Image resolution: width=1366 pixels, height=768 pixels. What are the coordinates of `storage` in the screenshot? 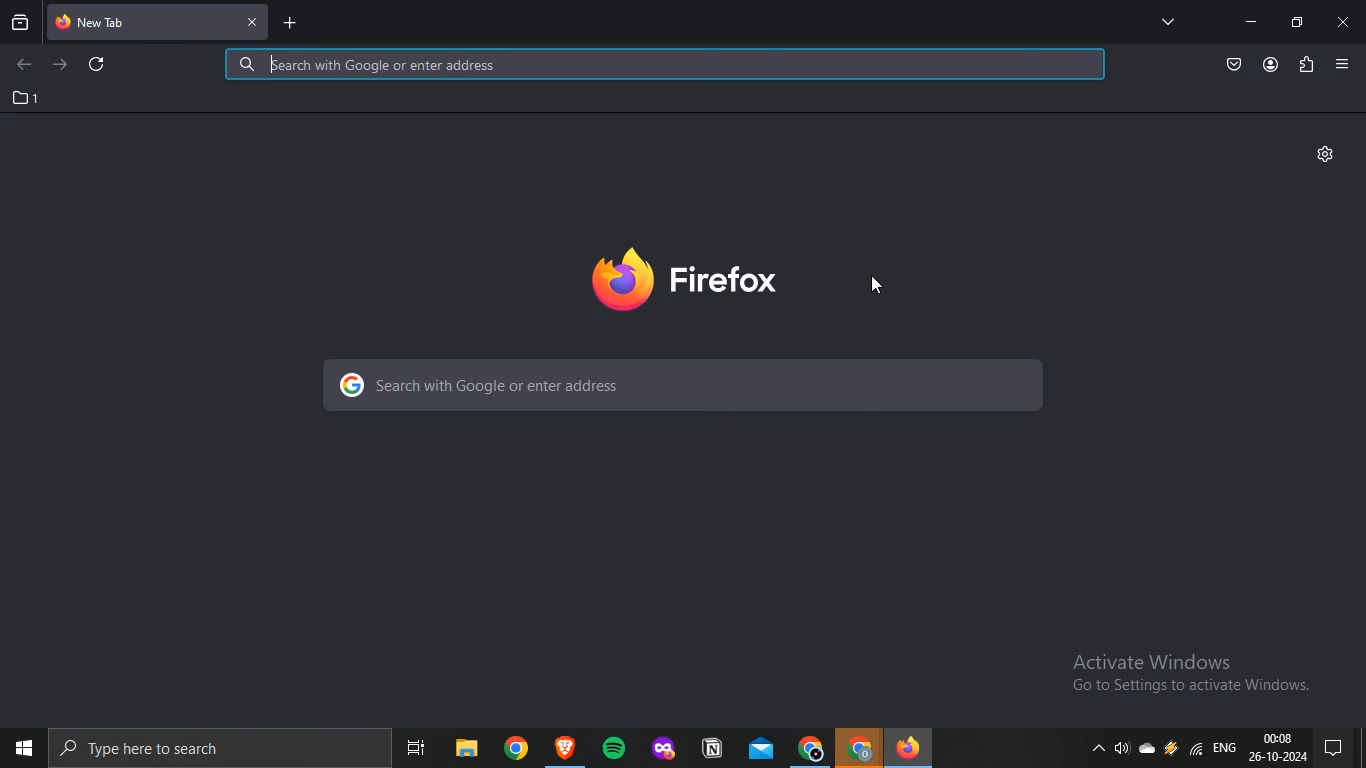 It's located at (1150, 750).